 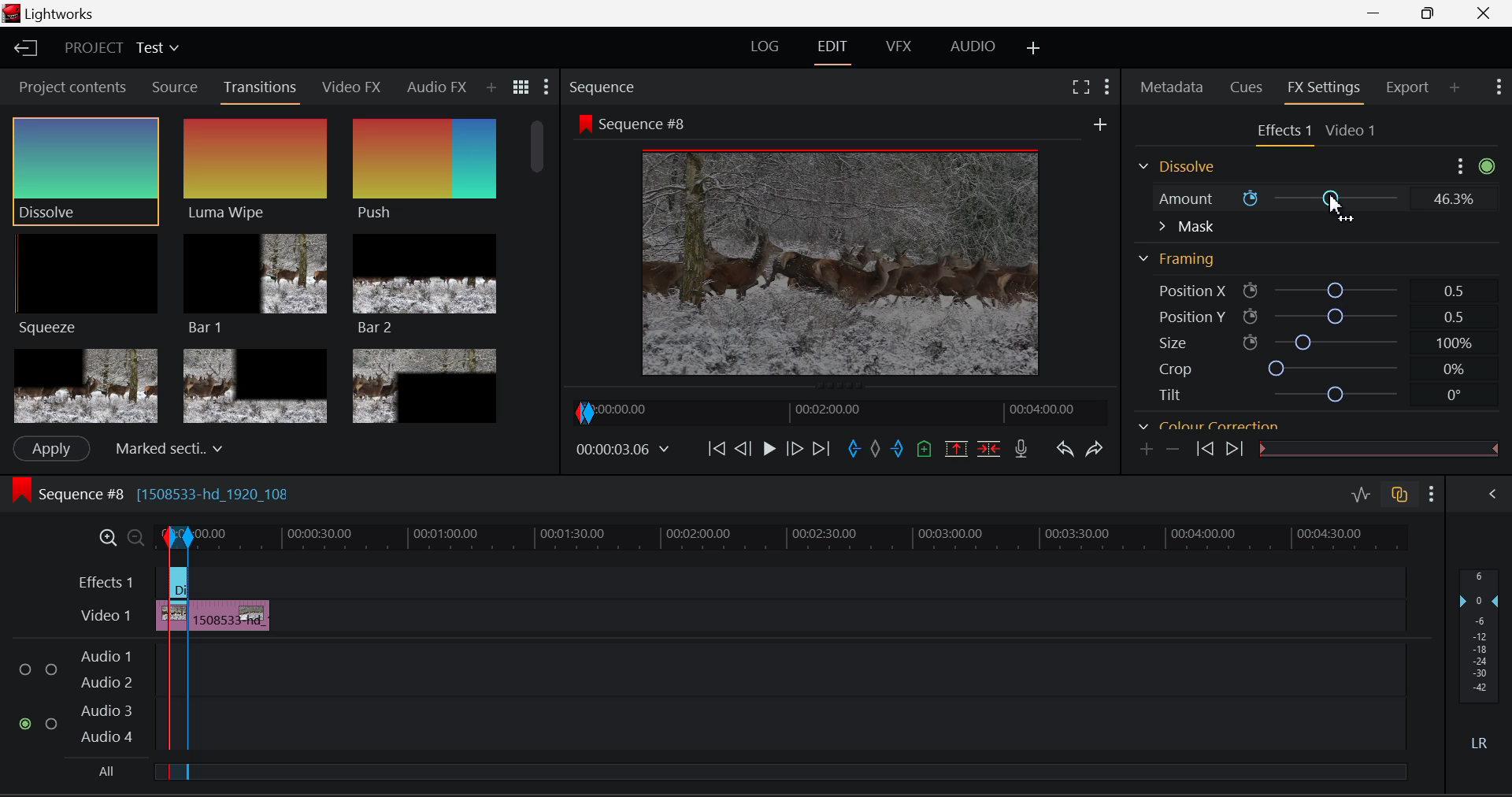 I want to click on Sequence #8 Preview Screen, so click(x=837, y=247).